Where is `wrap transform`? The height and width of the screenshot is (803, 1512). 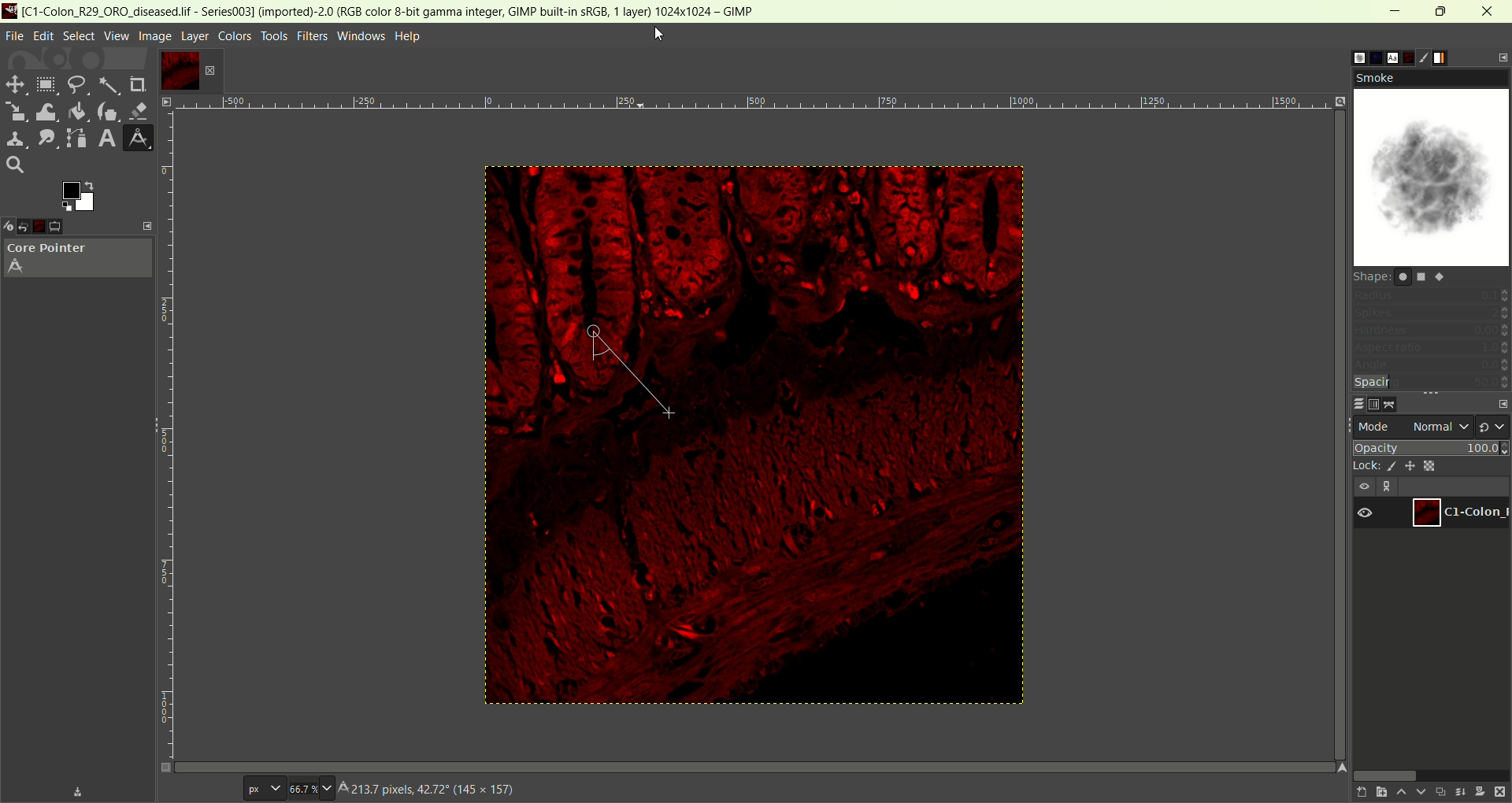
wrap transform is located at coordinates (43, 111).